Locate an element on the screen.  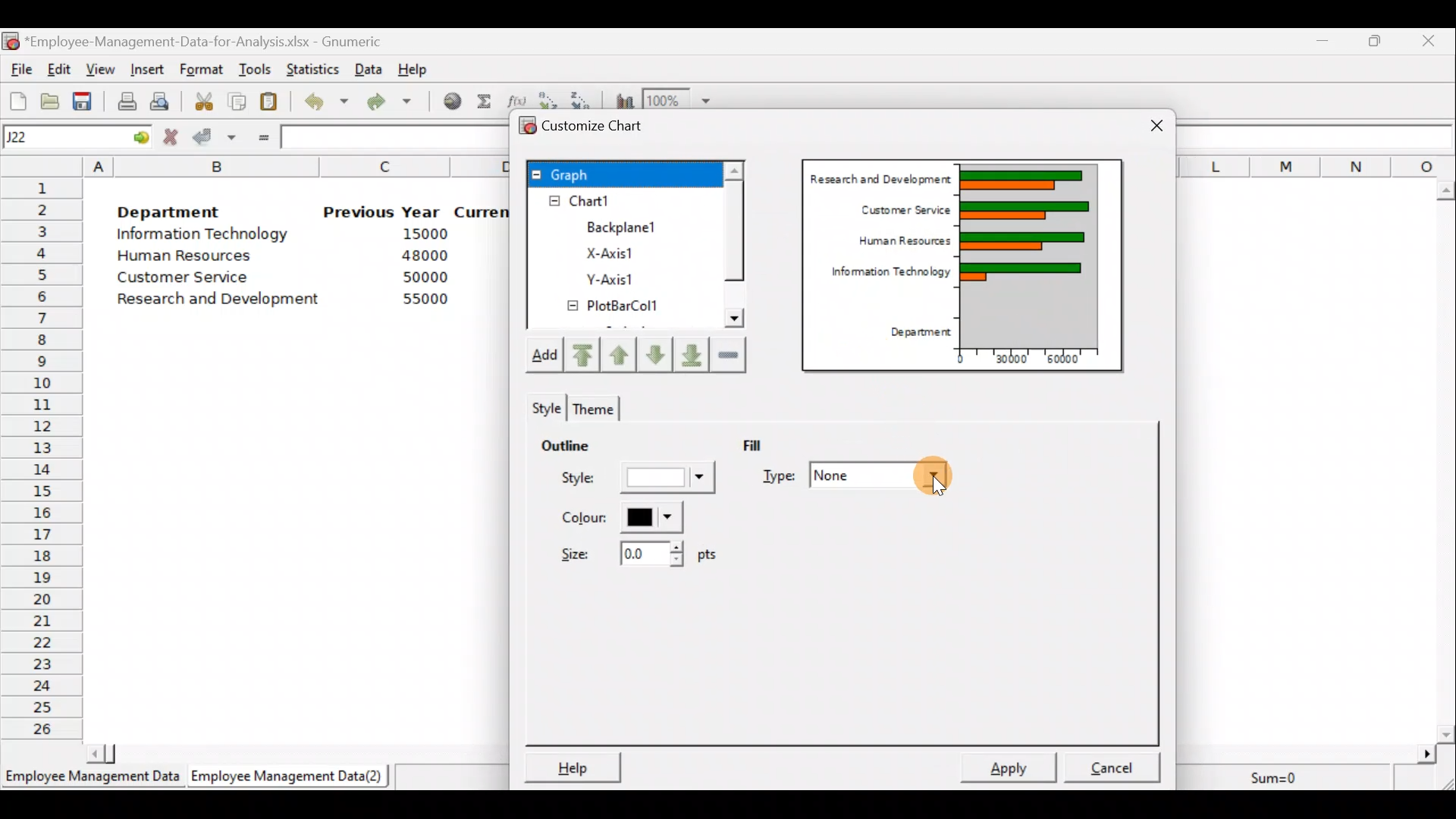
Sum into the current cell is located at coordinates (485, 105).